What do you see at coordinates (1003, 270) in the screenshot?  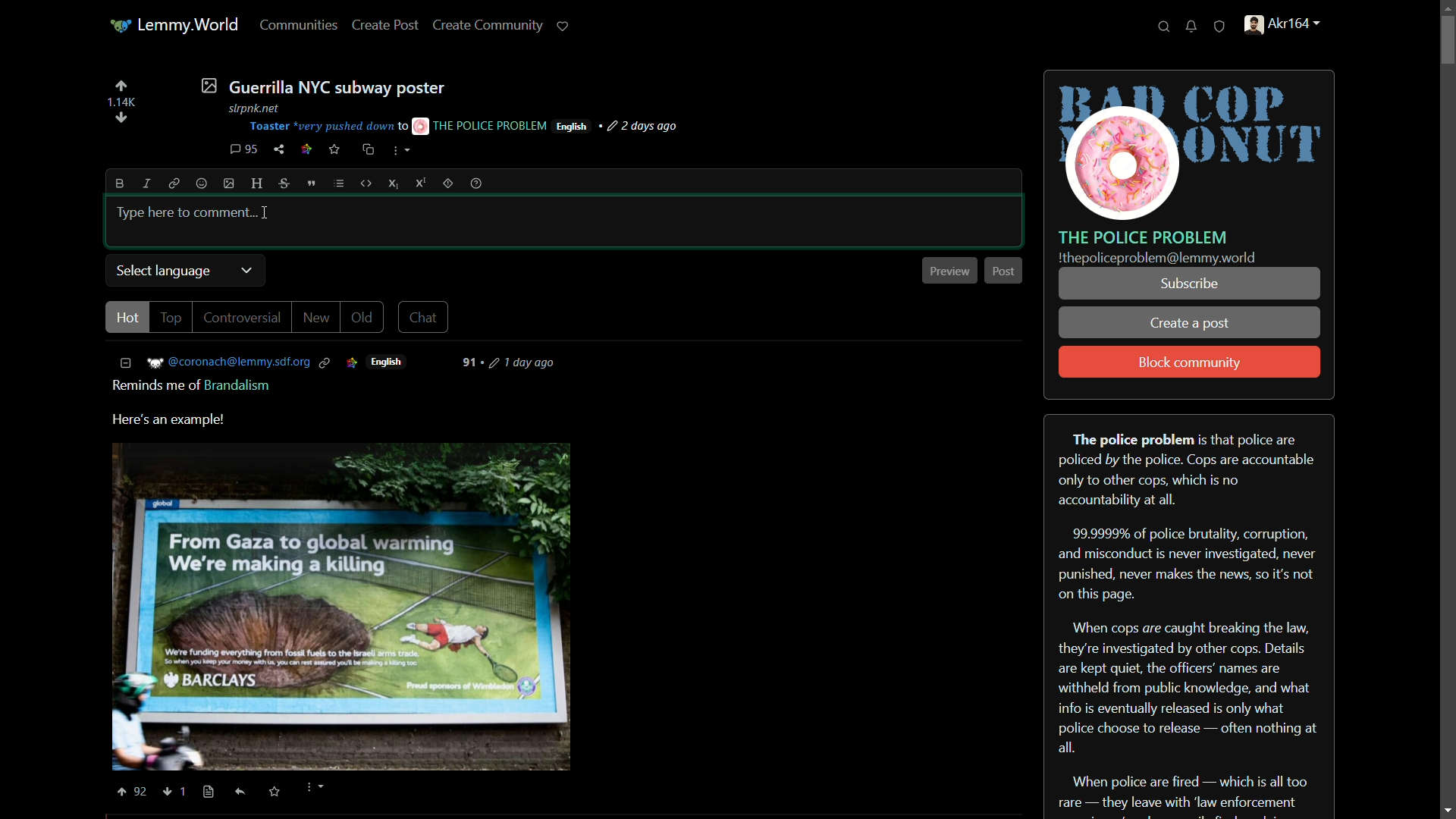 I see `post` at bounding box center [1003, 270].